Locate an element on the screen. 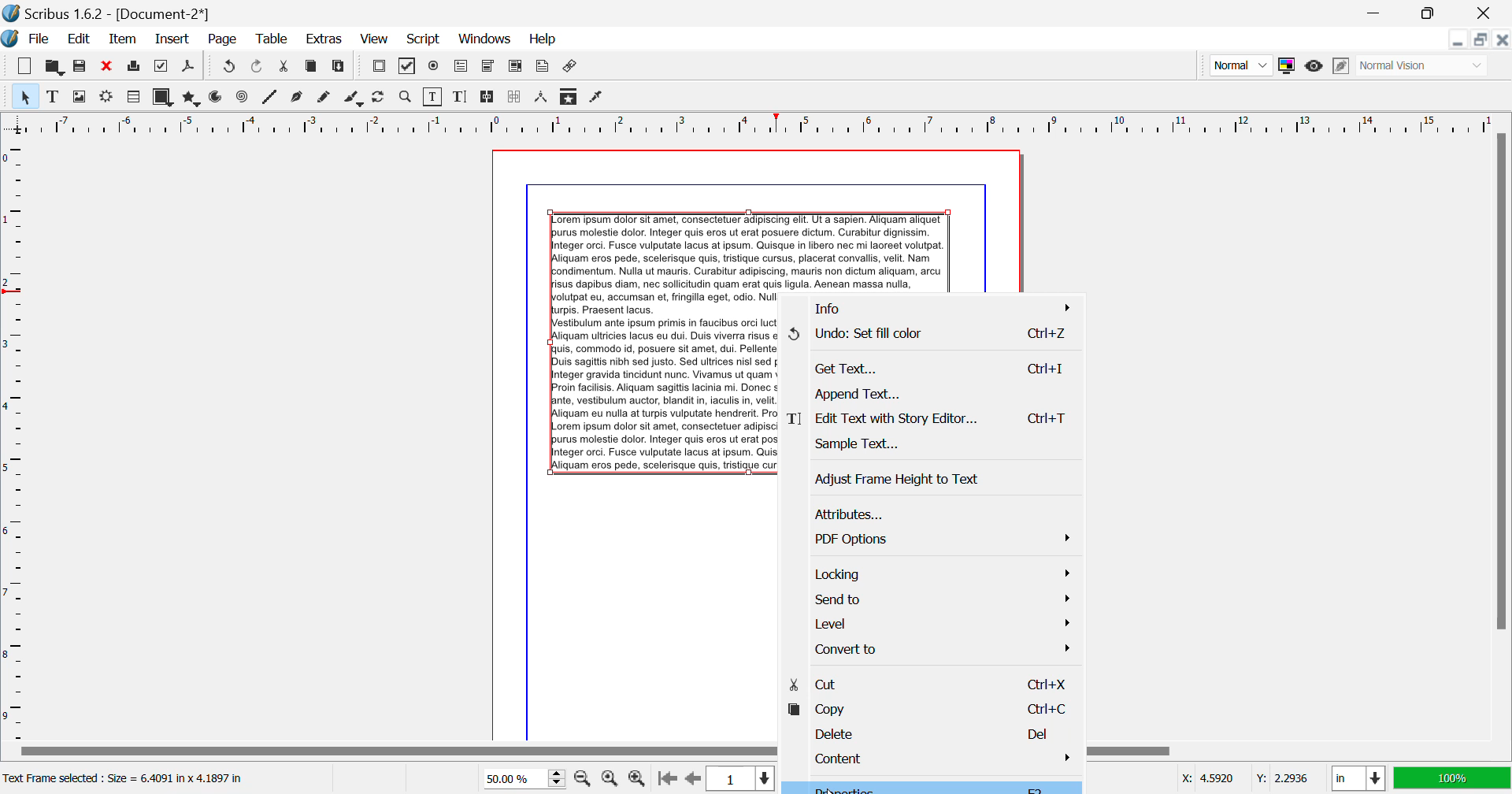 This screenshot has width=1512, height=794. Edit Text with Story Editor is located at coordinates (460, 97).